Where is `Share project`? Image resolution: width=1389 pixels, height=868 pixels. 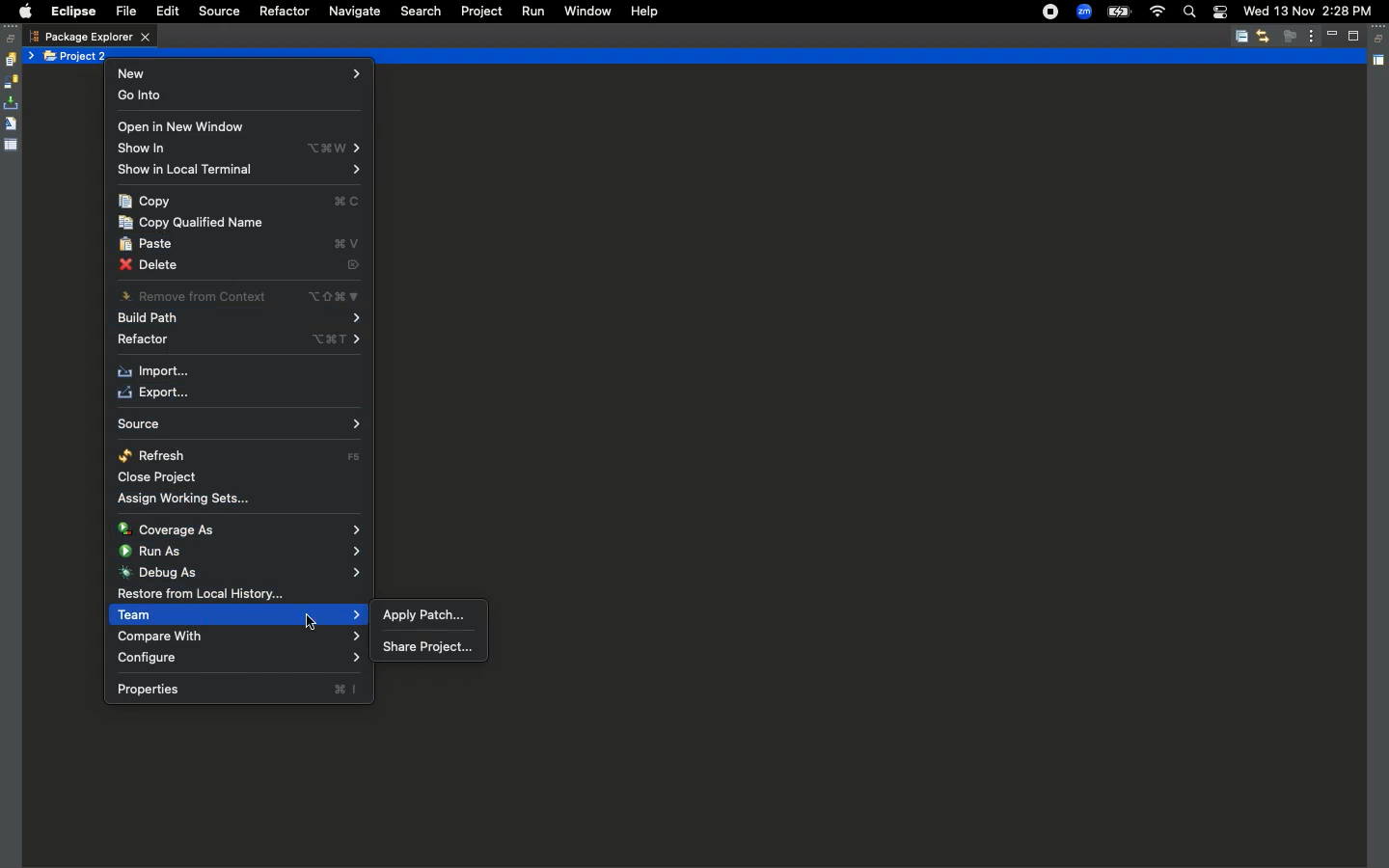
Share project is located at coordinates (426, 647).